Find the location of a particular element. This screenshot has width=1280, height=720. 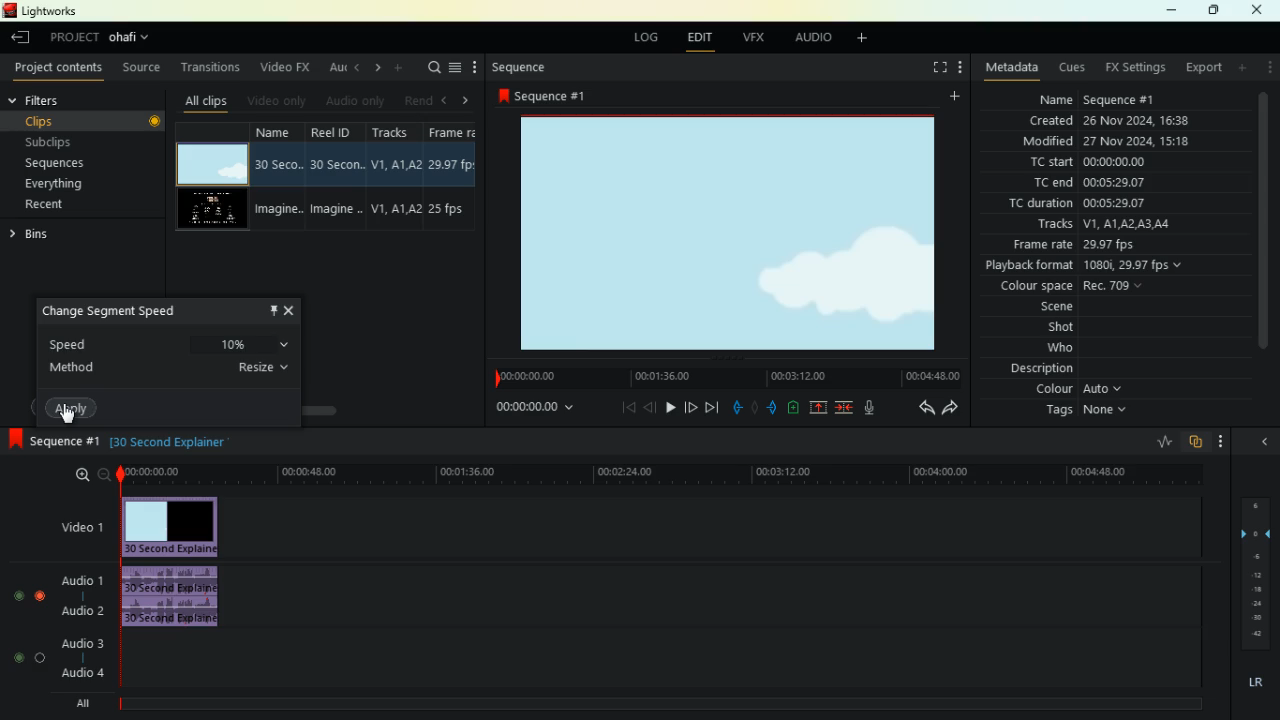

add is located at coordinates (959, 96).